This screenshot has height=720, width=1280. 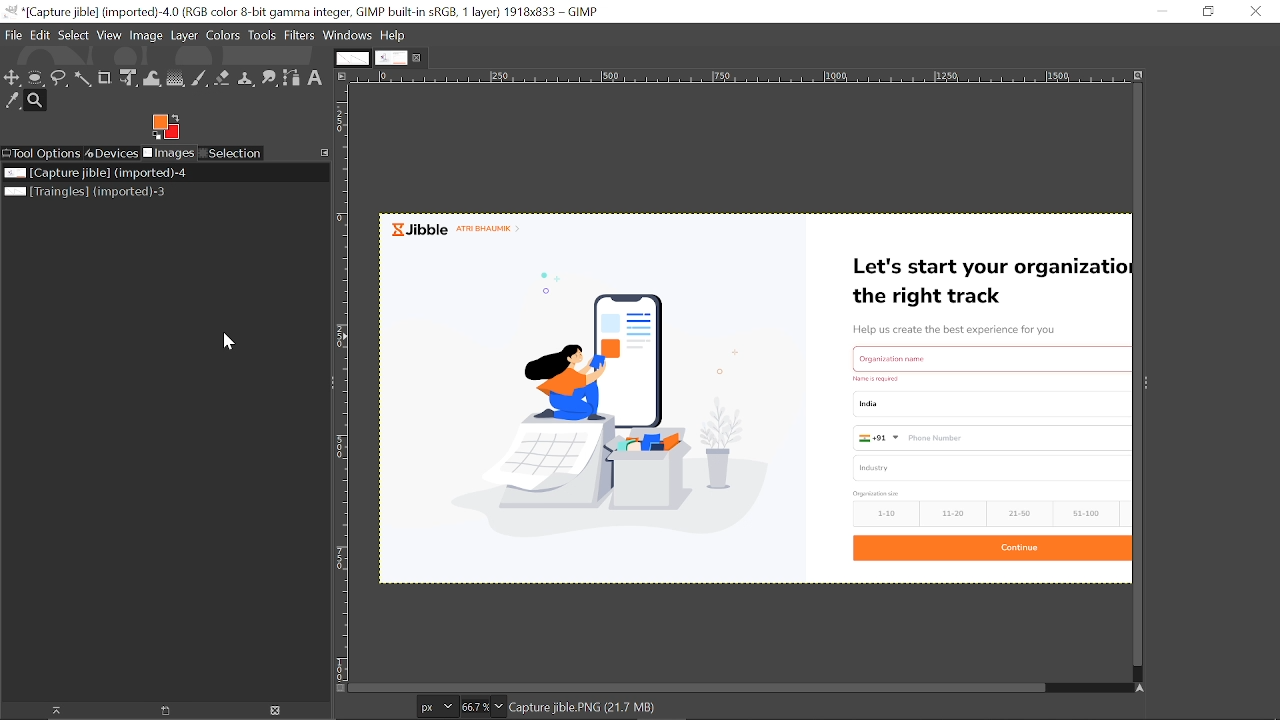 I want to click on Colors, so click(x=224, y=37).